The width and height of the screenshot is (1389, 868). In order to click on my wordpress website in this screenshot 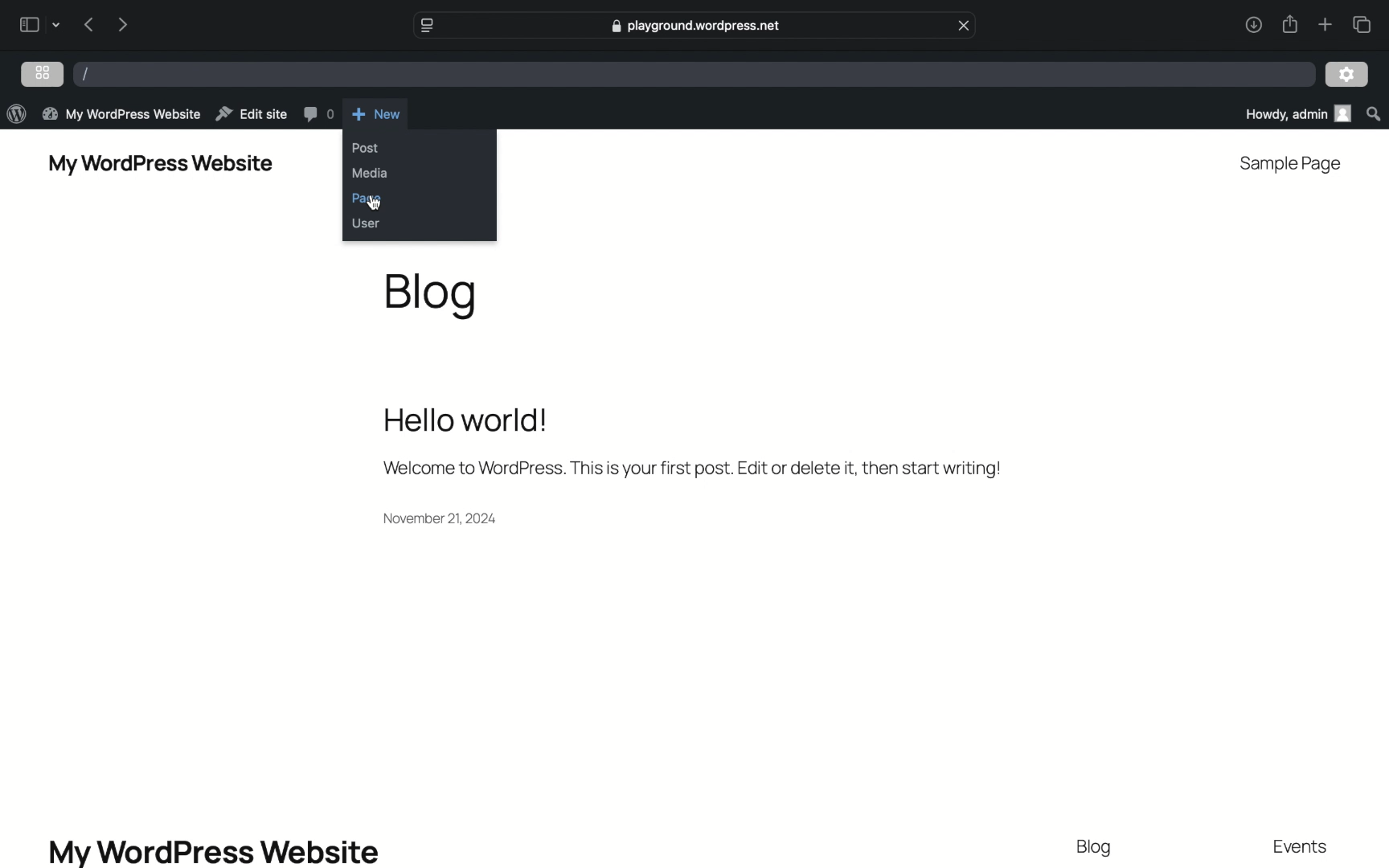, I will do `click(213, 852)`.